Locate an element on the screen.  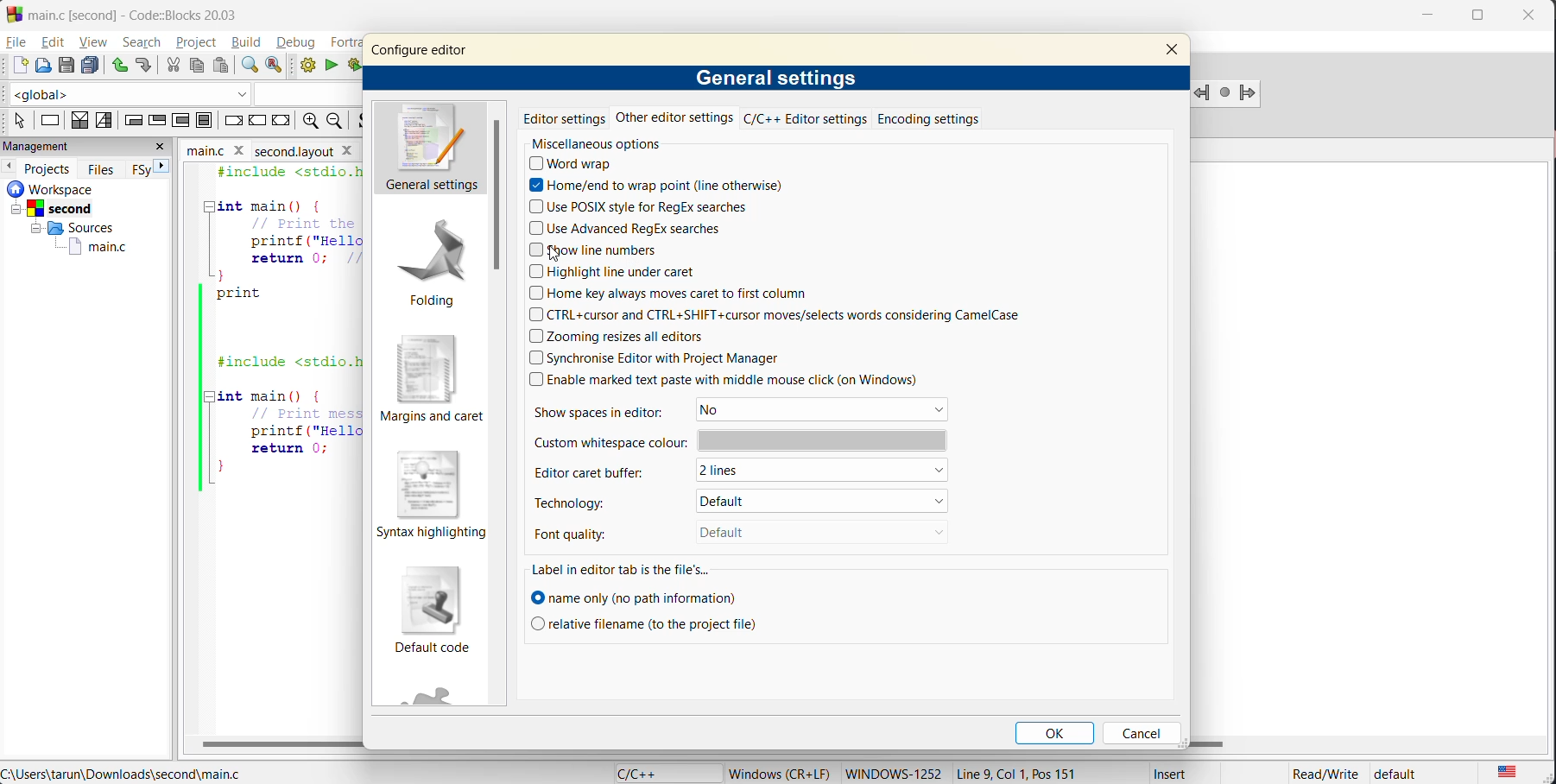
general settings is located at coordinates (428, 152).